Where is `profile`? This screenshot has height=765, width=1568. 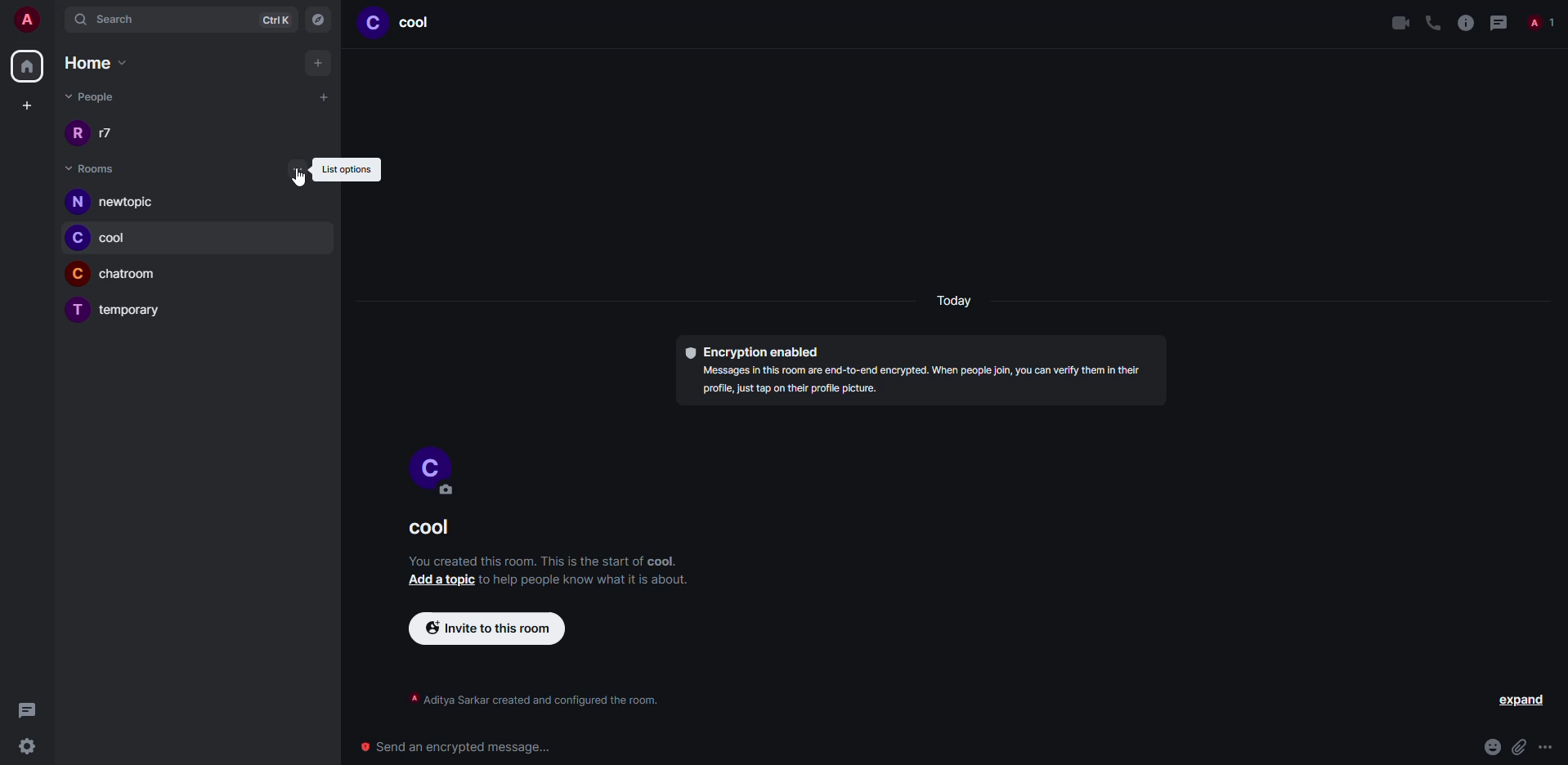 profile is located at coordinates (76, 311).